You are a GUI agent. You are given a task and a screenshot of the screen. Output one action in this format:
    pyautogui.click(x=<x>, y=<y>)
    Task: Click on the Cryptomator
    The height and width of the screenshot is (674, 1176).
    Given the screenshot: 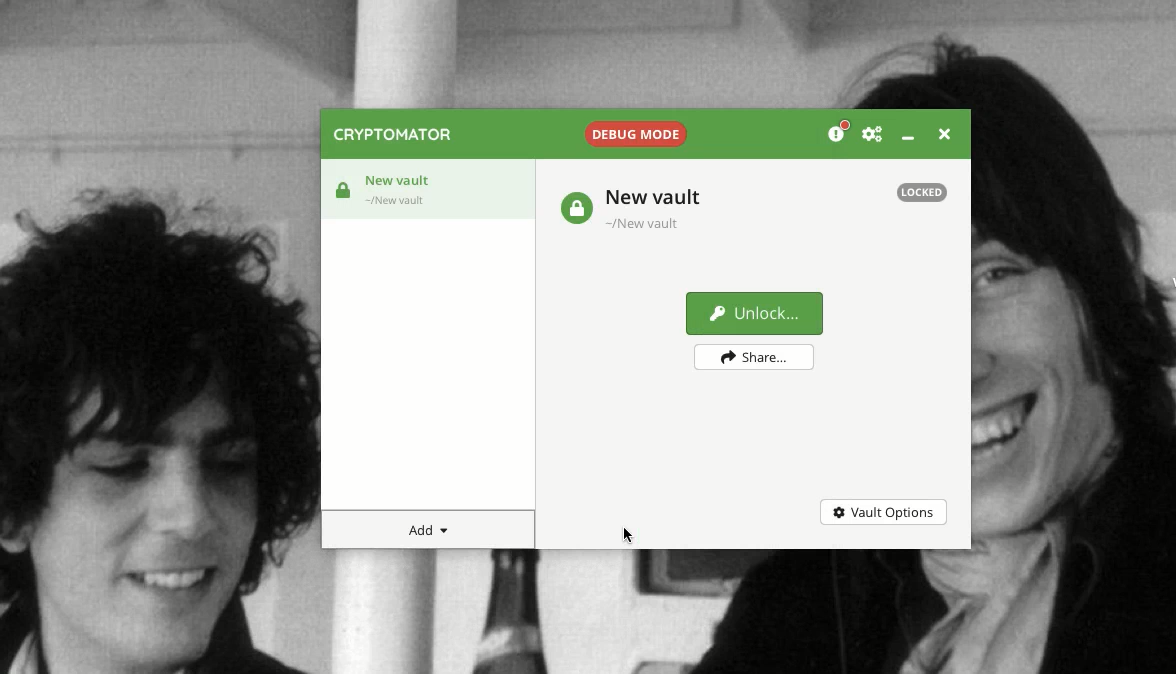 What is the action you would take?
    pyautogui.click(x=393, y=136)
    